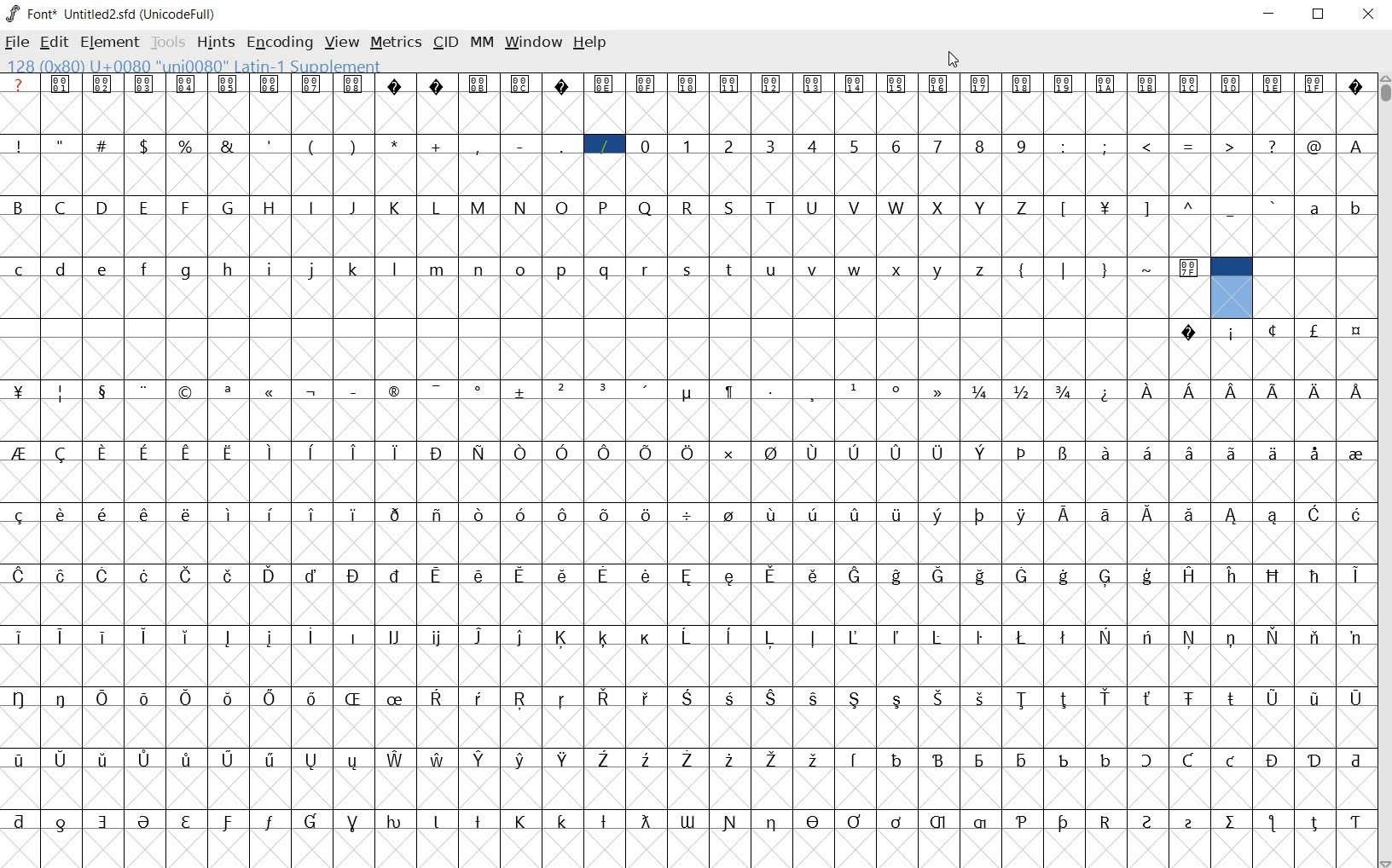 Image resolution: width=1392 pixels, height=868 pixels. What do you see at coordinates (774, 758) in the screenshot?
I see `Symbol` at bounding box center [774, 758].